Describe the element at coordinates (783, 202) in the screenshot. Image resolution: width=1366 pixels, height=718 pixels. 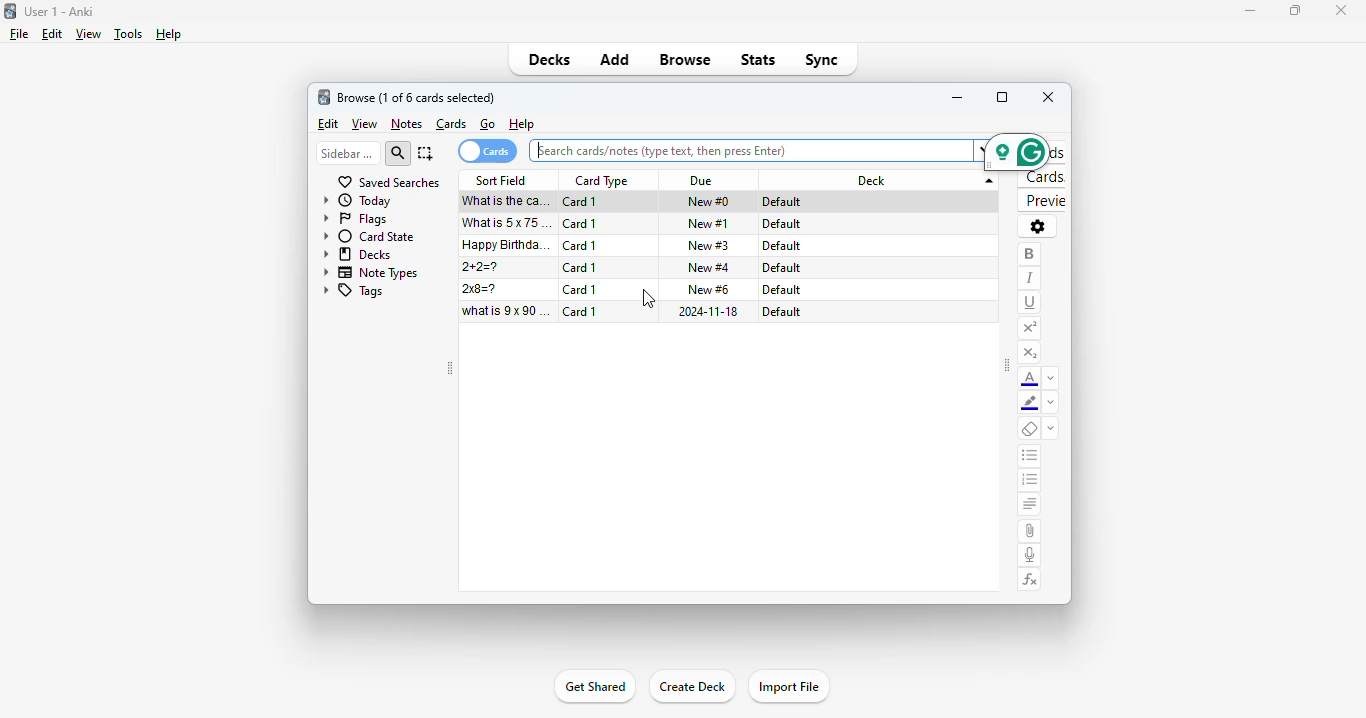
I see `default` at that location.